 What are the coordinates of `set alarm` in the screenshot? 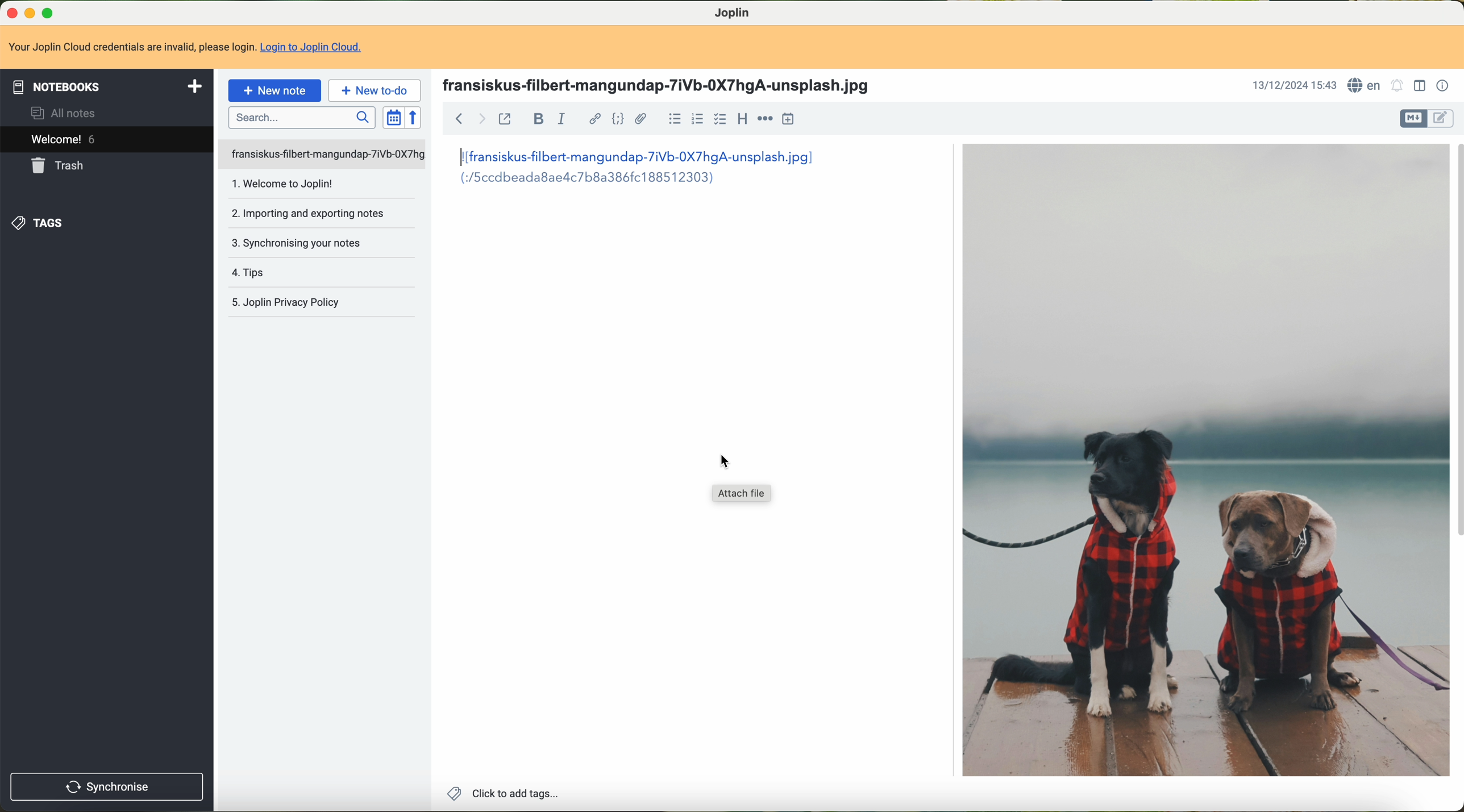 It's located at (1397, 86).